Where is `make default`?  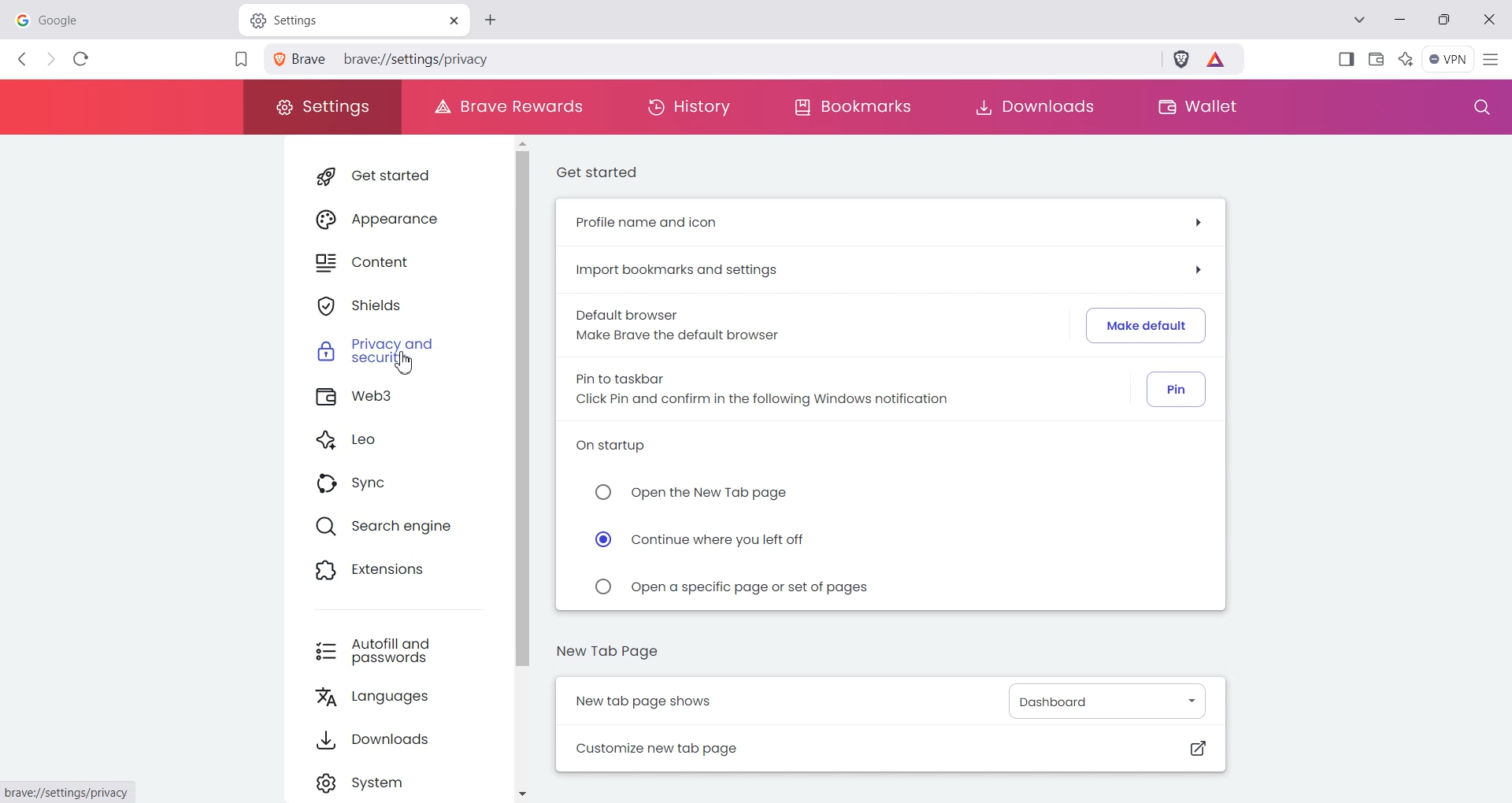 make default is located at coordinates (1142, 324).